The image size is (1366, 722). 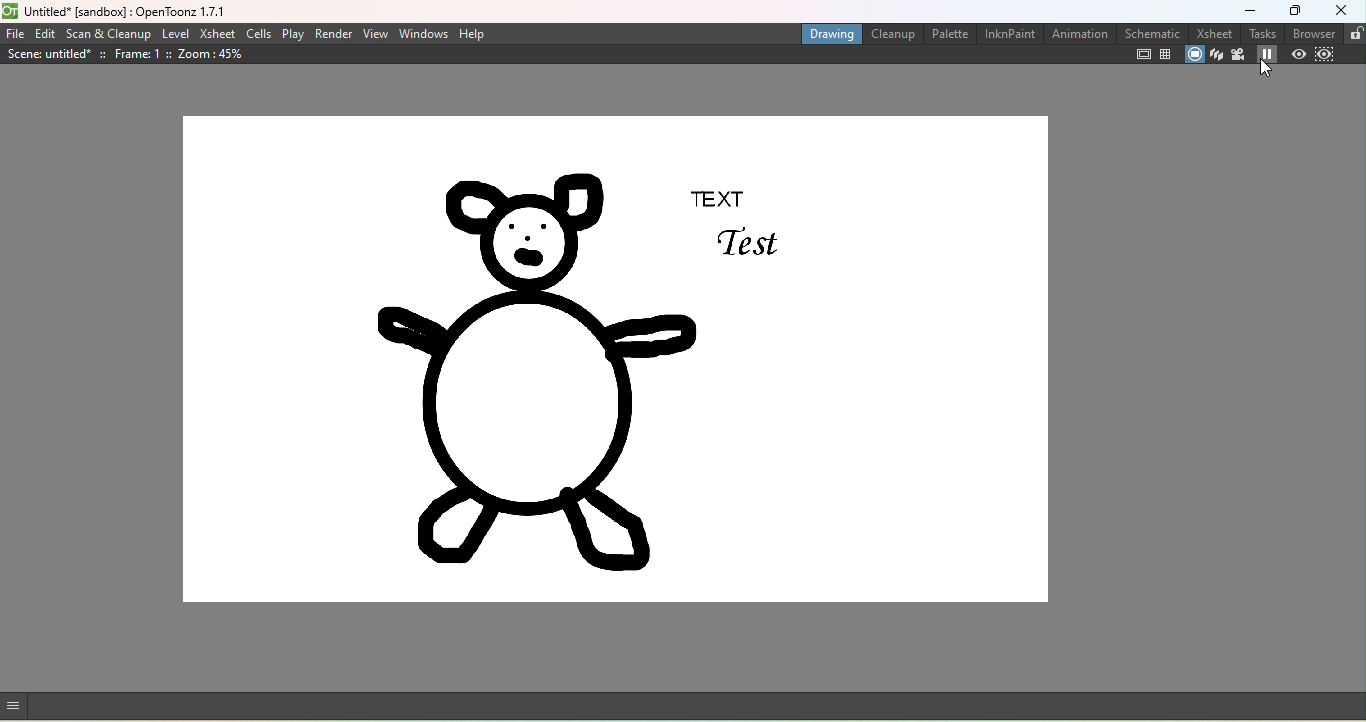 What do you see at coordinates (109, 34) in the screenshot?
I see `Scan & Cleanup` at bounding box center [109, 34].